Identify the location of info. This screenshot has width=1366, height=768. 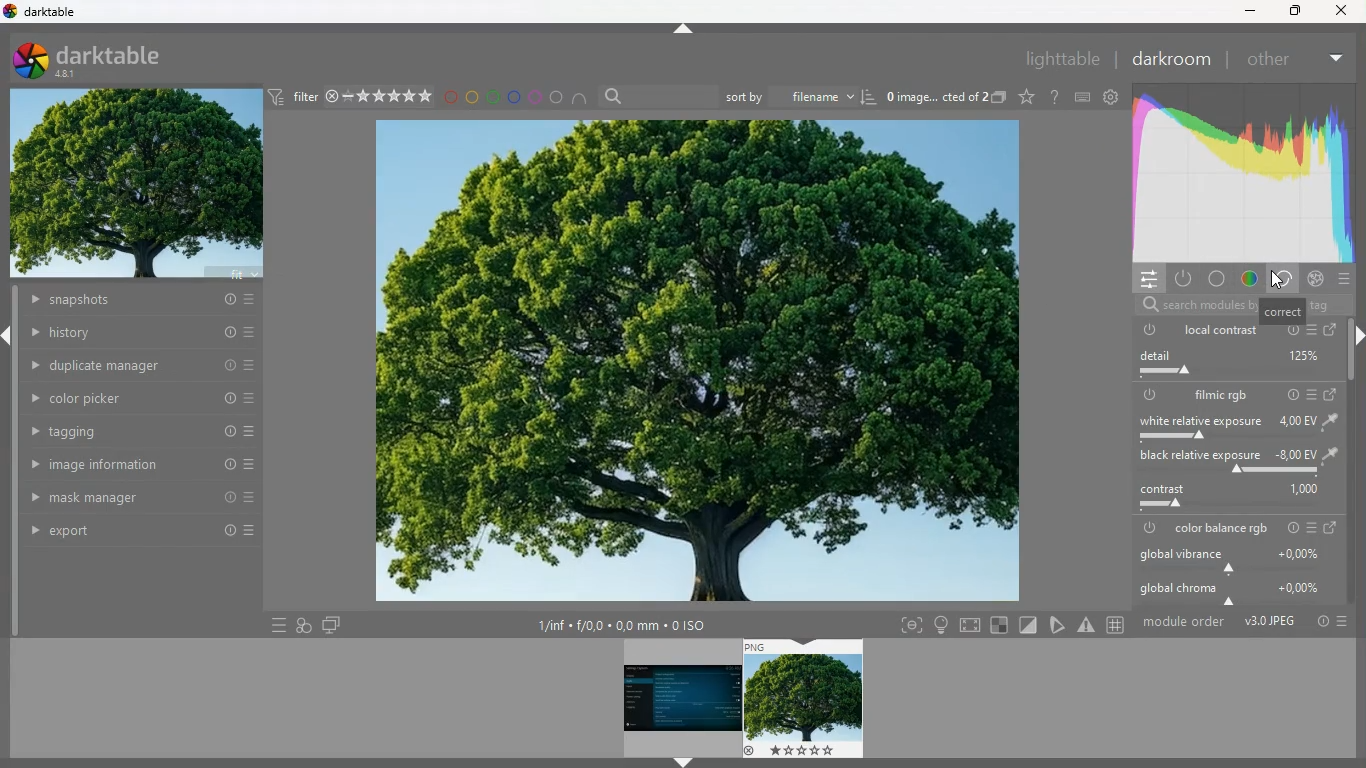
(1322, 622).